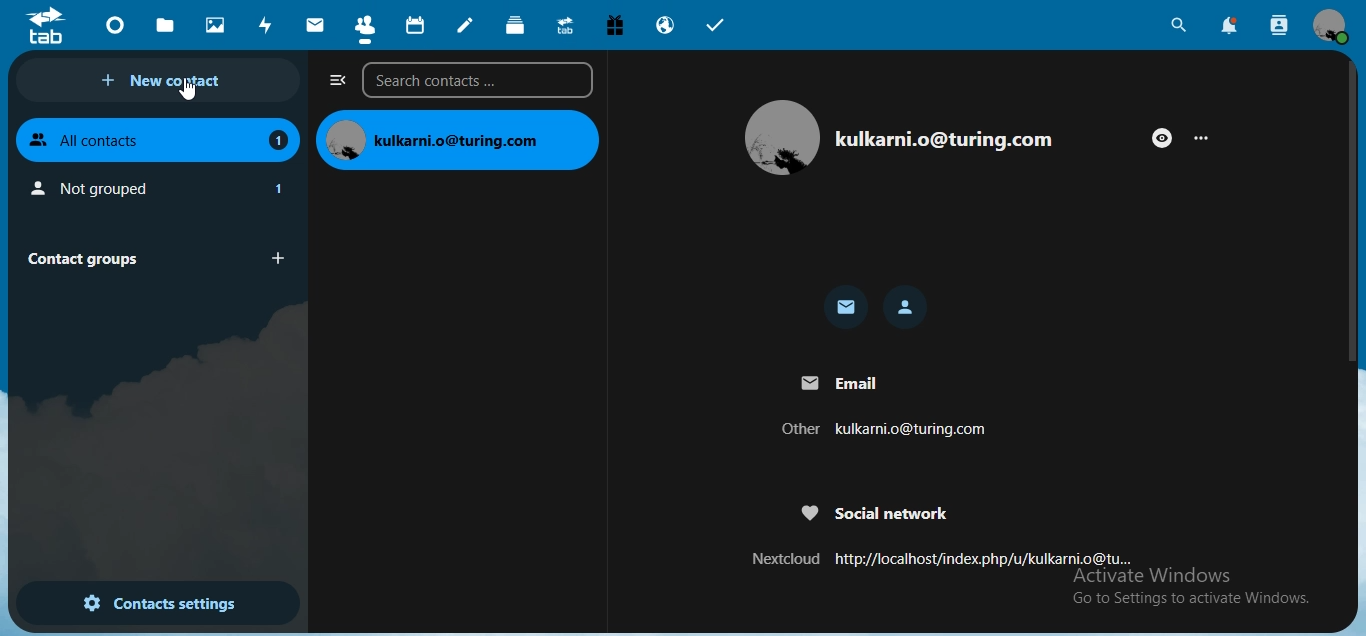 Image resolution: width=1366 pixels, height=636 pixels. Describe the element at coordinates (1280, 27) in the screenshot. I see `search contacts` at that location.